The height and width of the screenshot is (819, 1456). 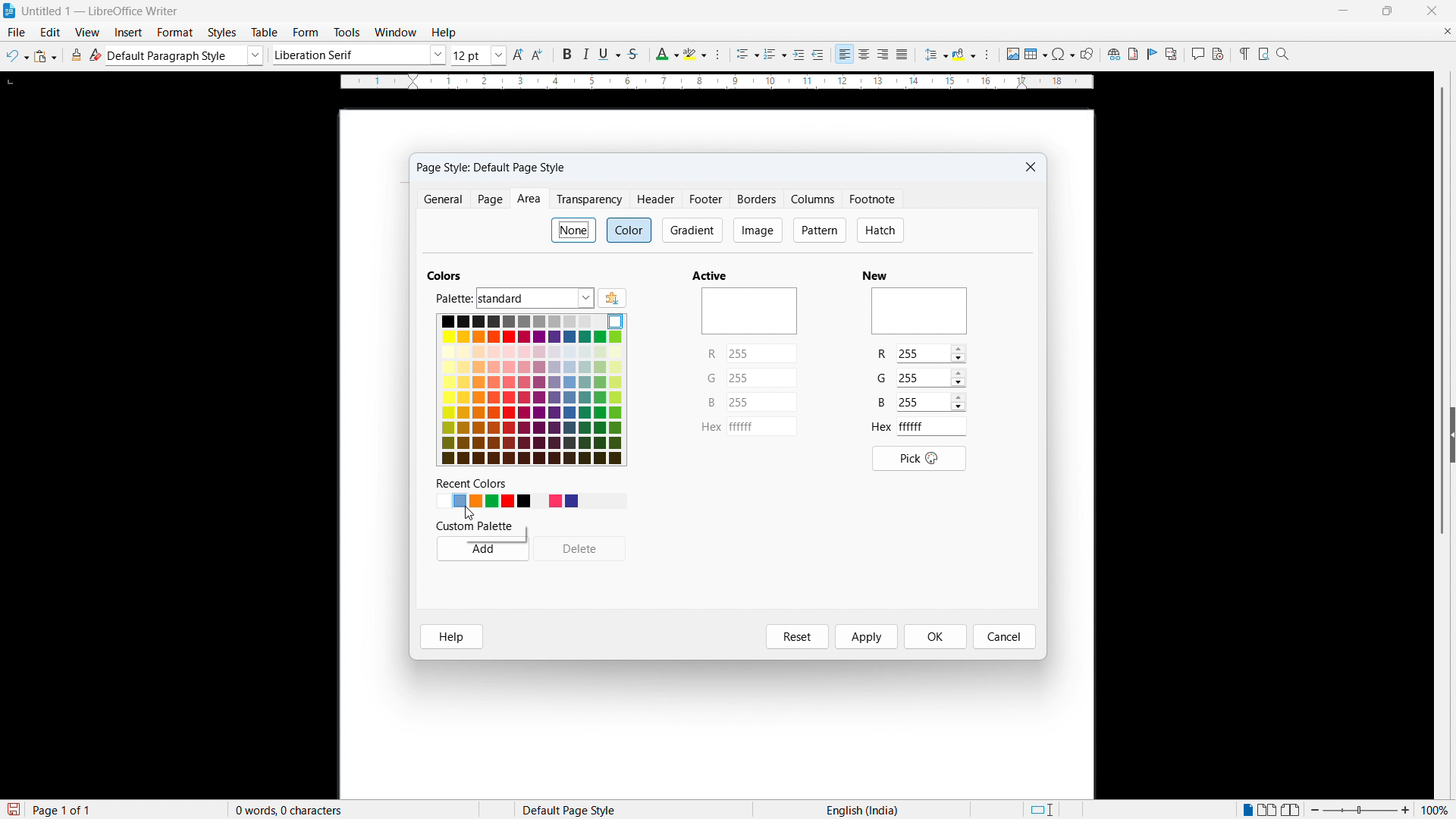 What do you see at coordinates (717, 82) in the screenshot?
I see `Ruler ` at bounding box center [717, 82].